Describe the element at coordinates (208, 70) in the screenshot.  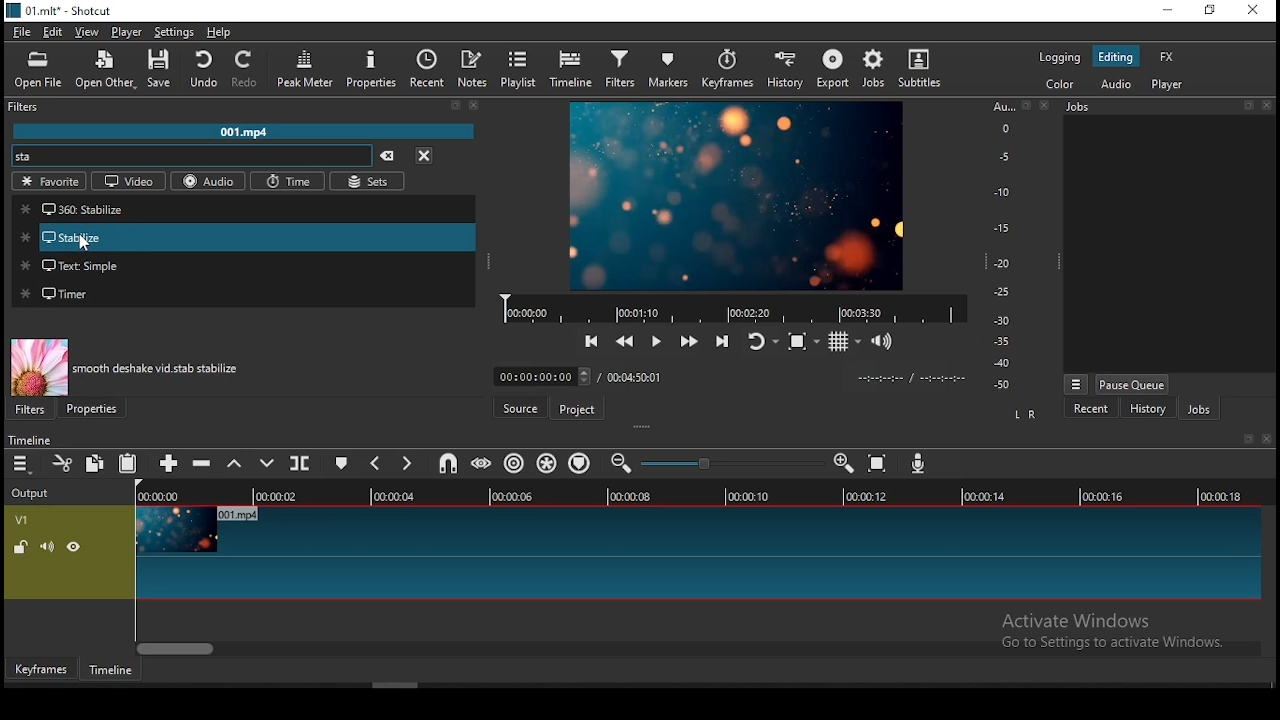
I see `undo` at that location.